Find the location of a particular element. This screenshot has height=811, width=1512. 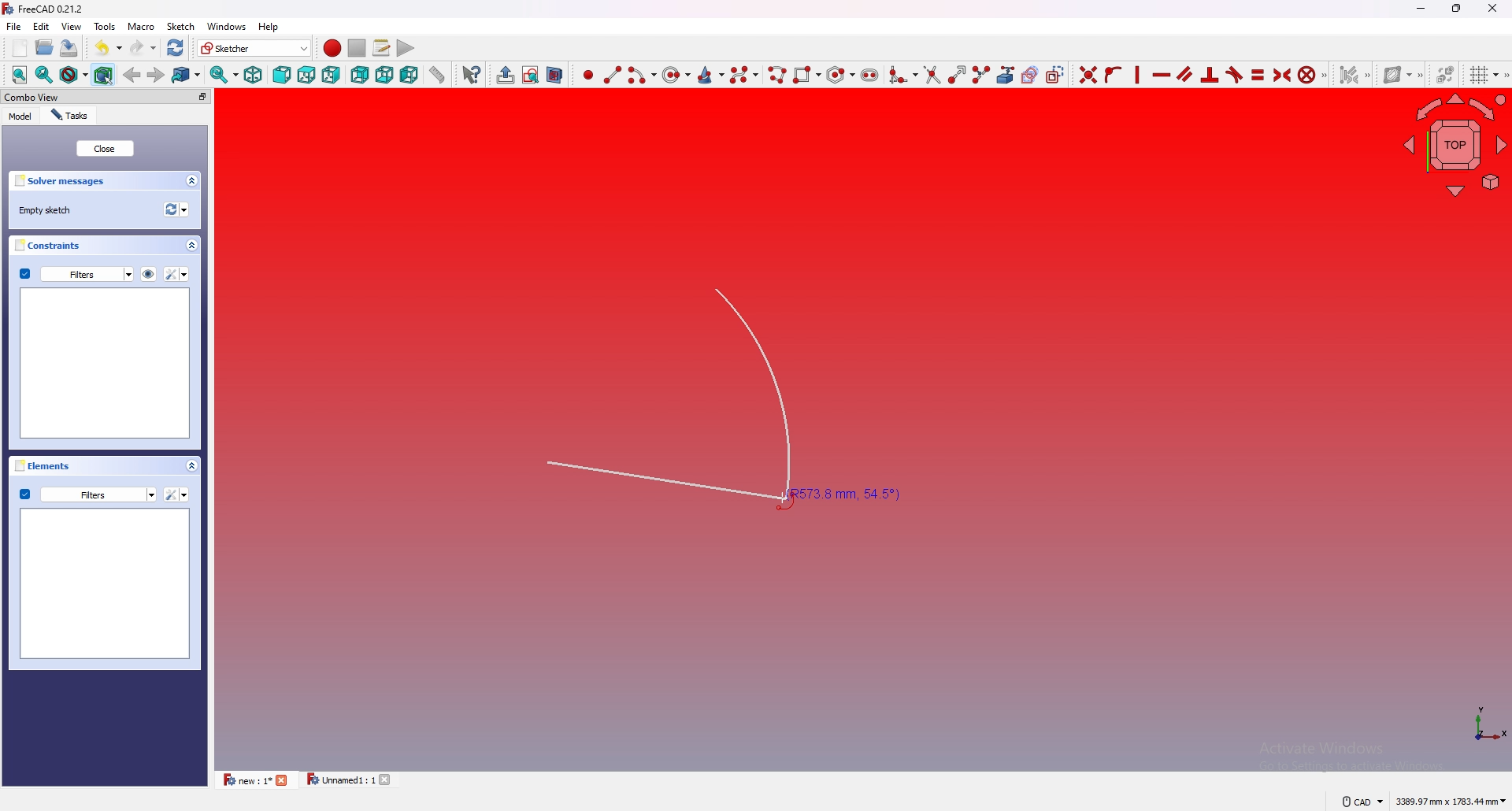

redo is located at coordinates (145, 47).